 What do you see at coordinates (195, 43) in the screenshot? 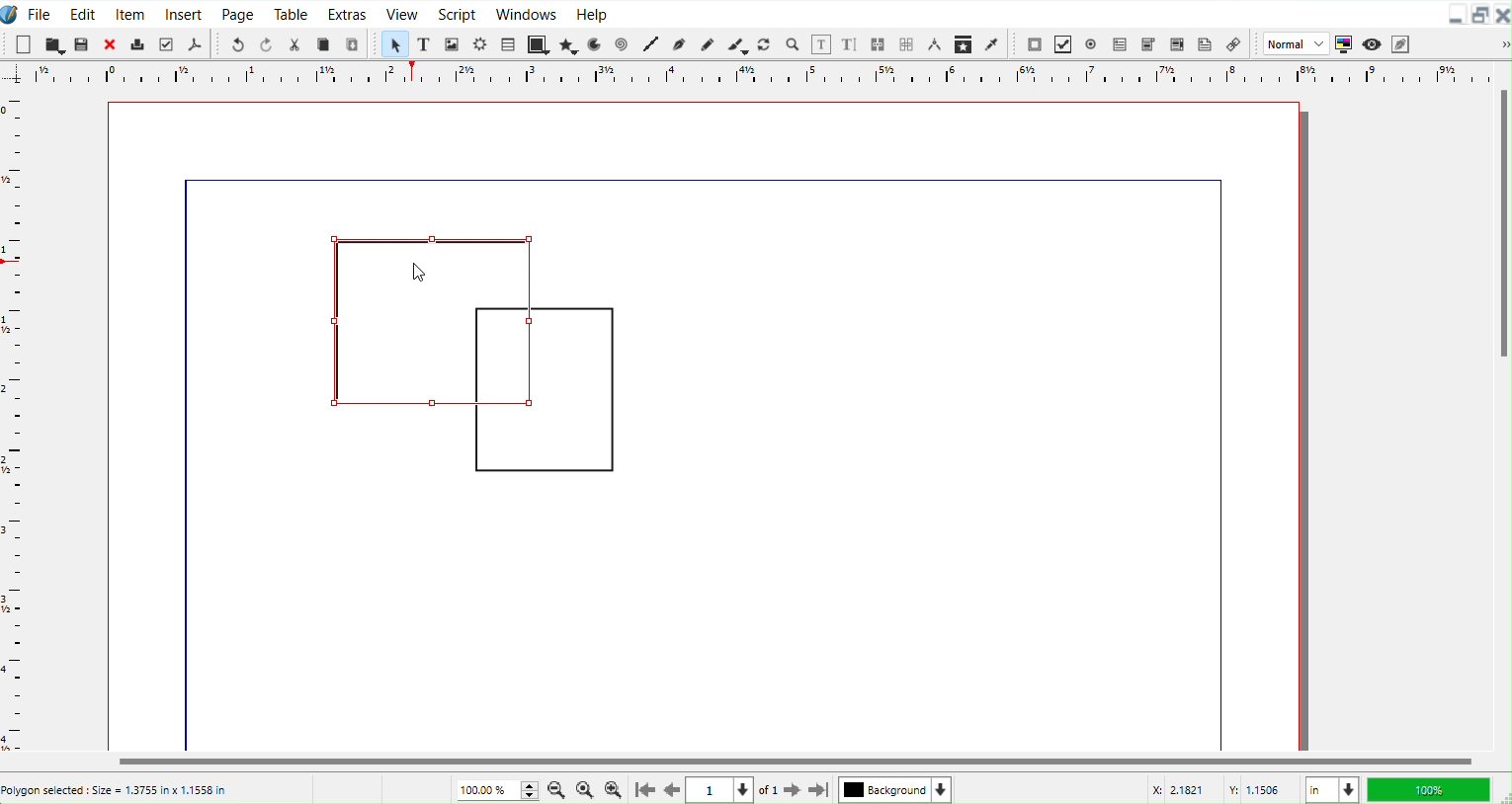
I see `Save as PDF` at bounding box center [195, 43].